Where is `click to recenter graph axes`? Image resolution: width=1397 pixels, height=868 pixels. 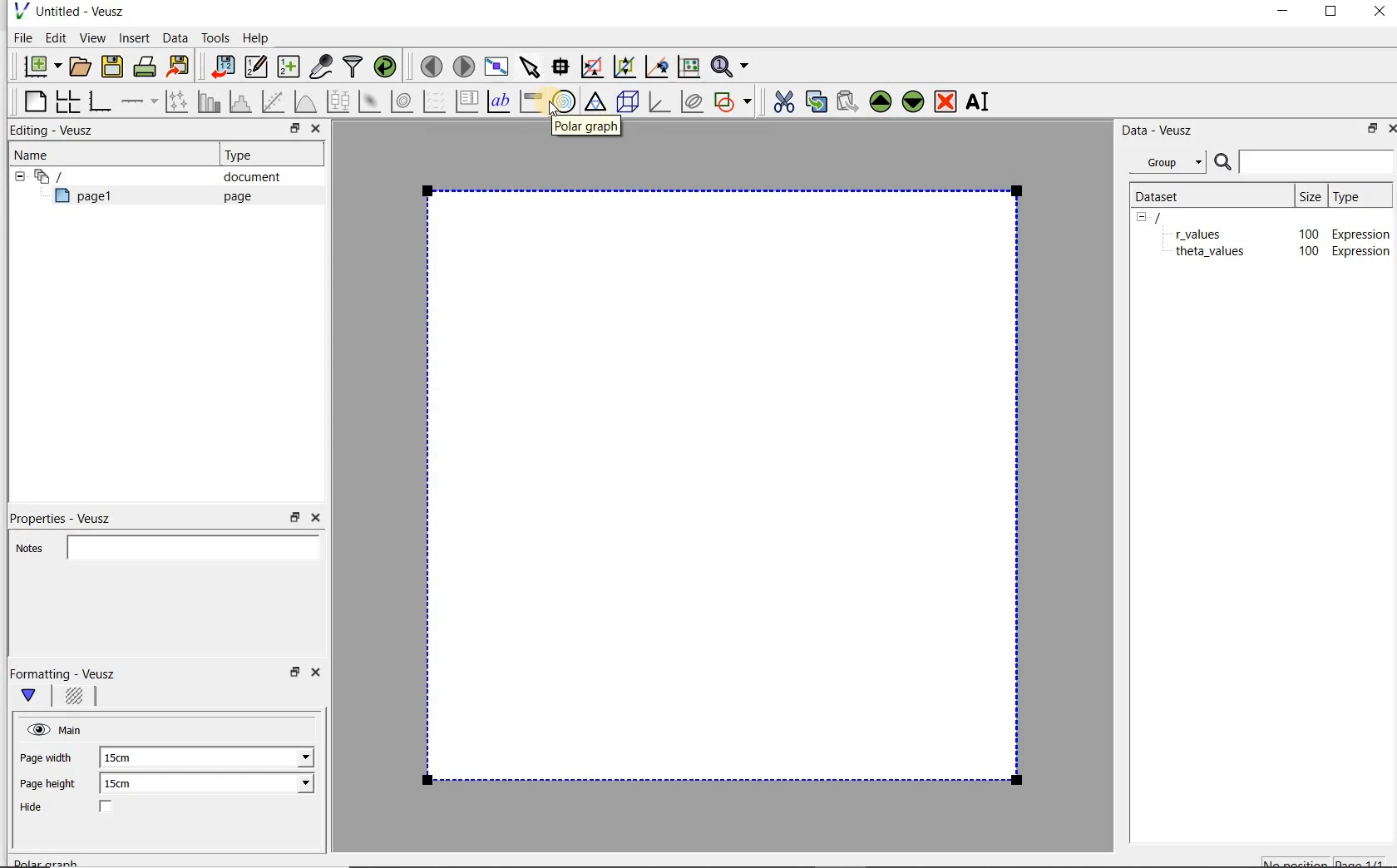 click to recenter graph axes is located at coordinates (658, 67).